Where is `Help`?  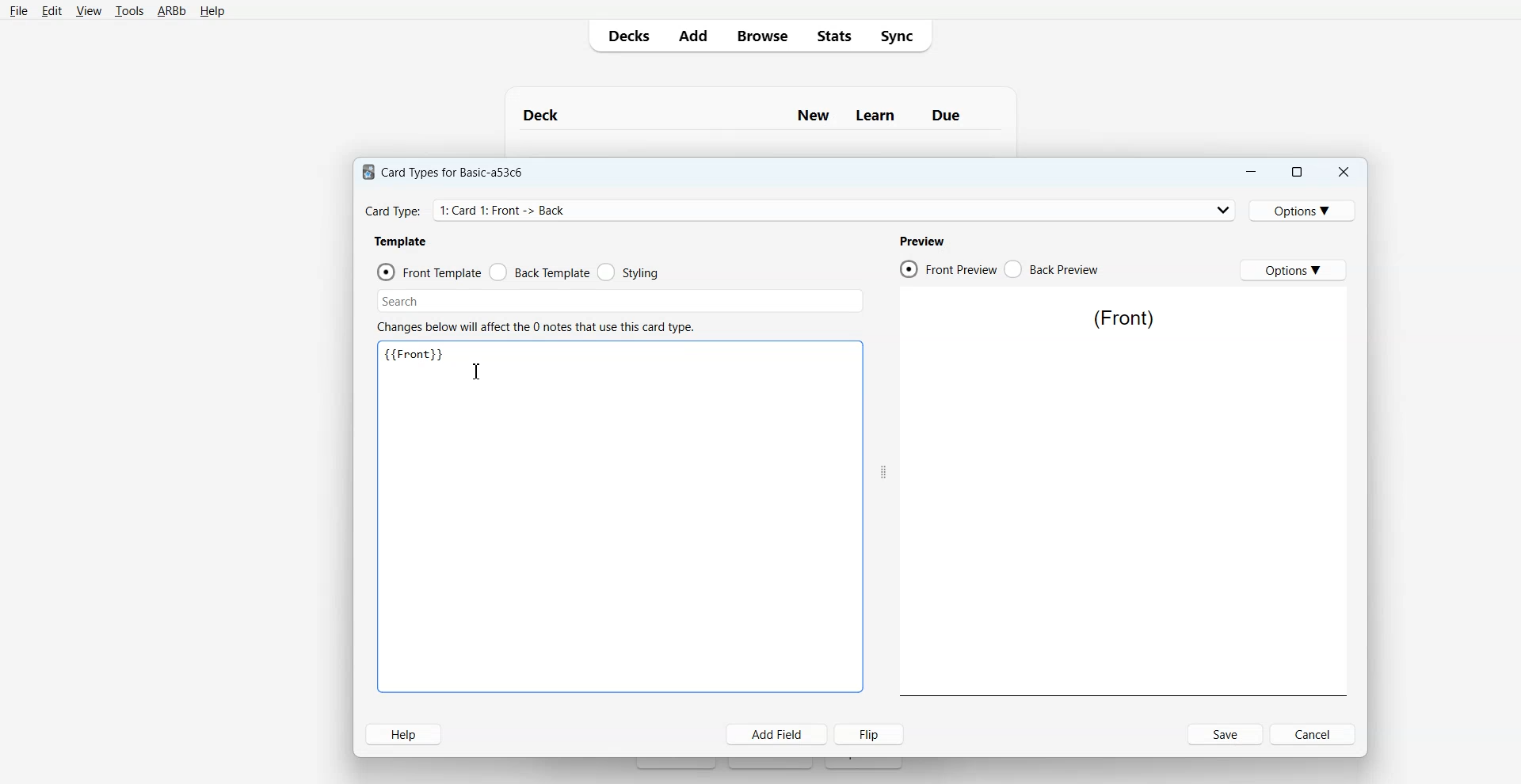 Help is located at coordinates (212, 12).